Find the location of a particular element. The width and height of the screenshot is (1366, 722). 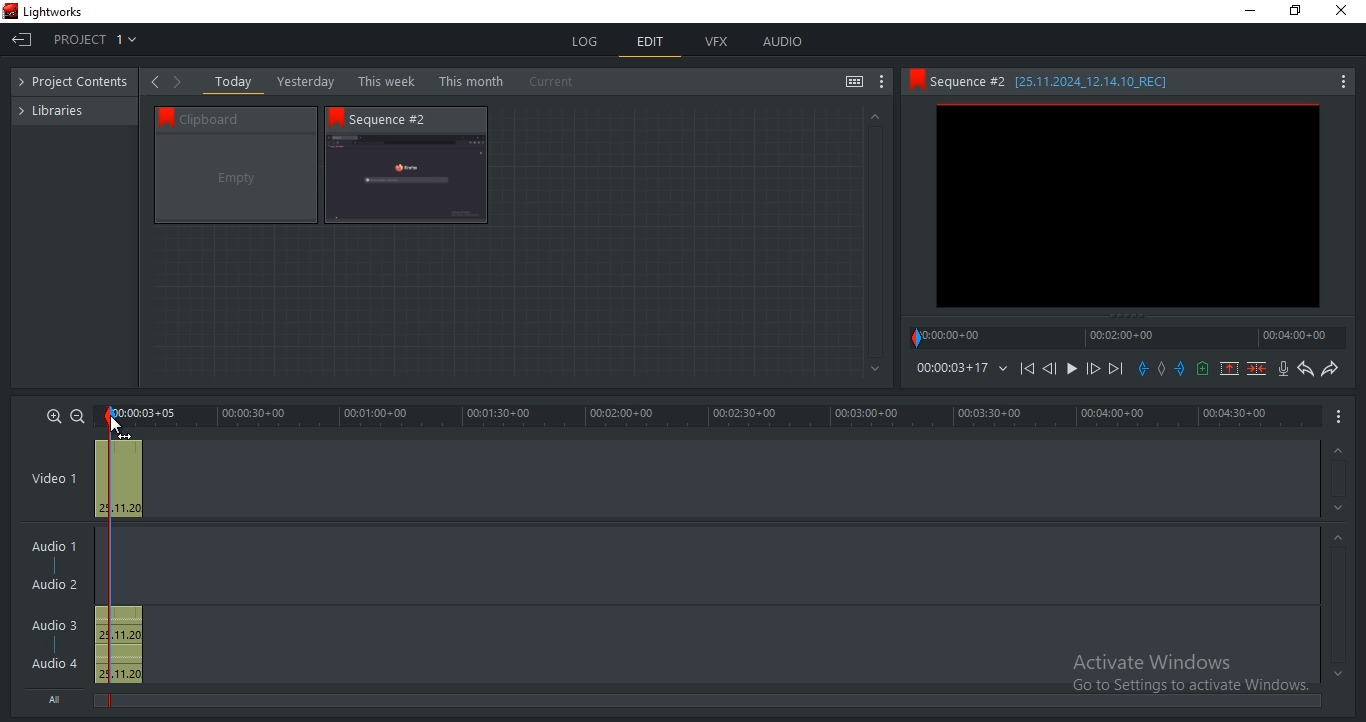

Exit project is located at coordinates (27, 45).